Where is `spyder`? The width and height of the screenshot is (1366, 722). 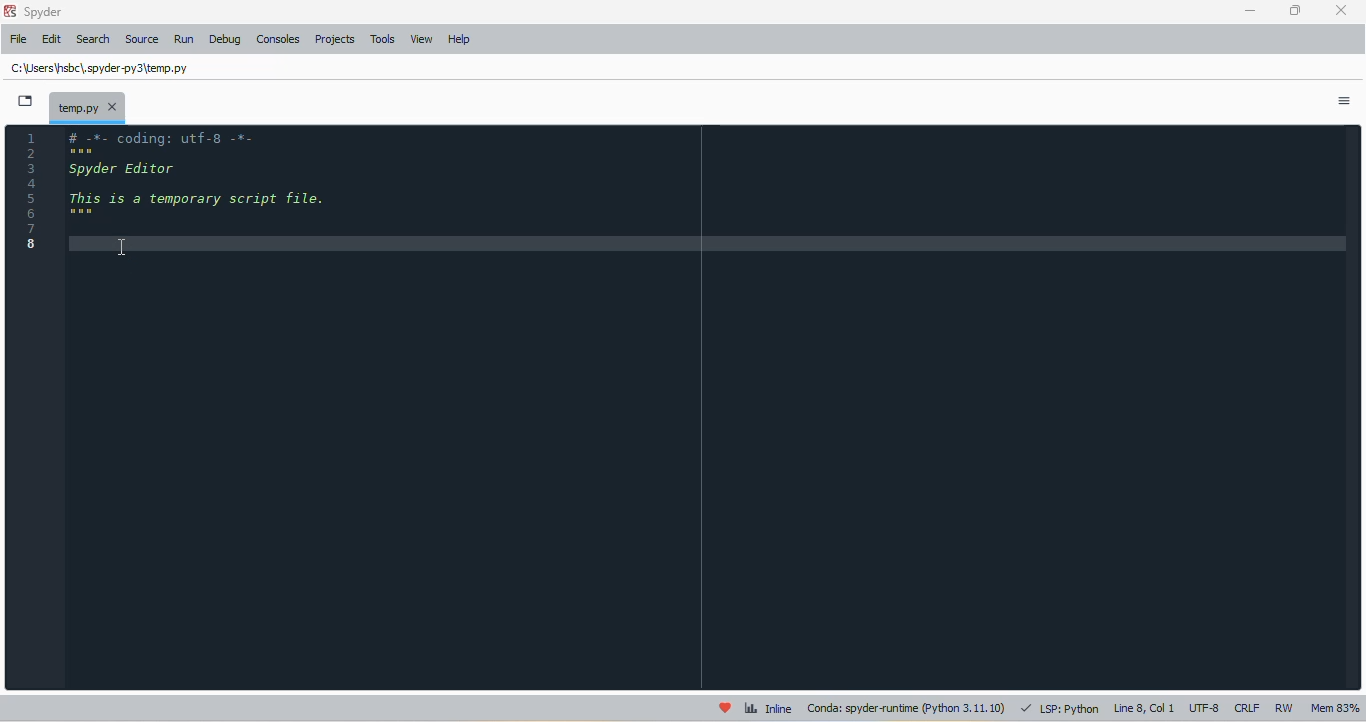 spyder is located at coordinates (44, 12).